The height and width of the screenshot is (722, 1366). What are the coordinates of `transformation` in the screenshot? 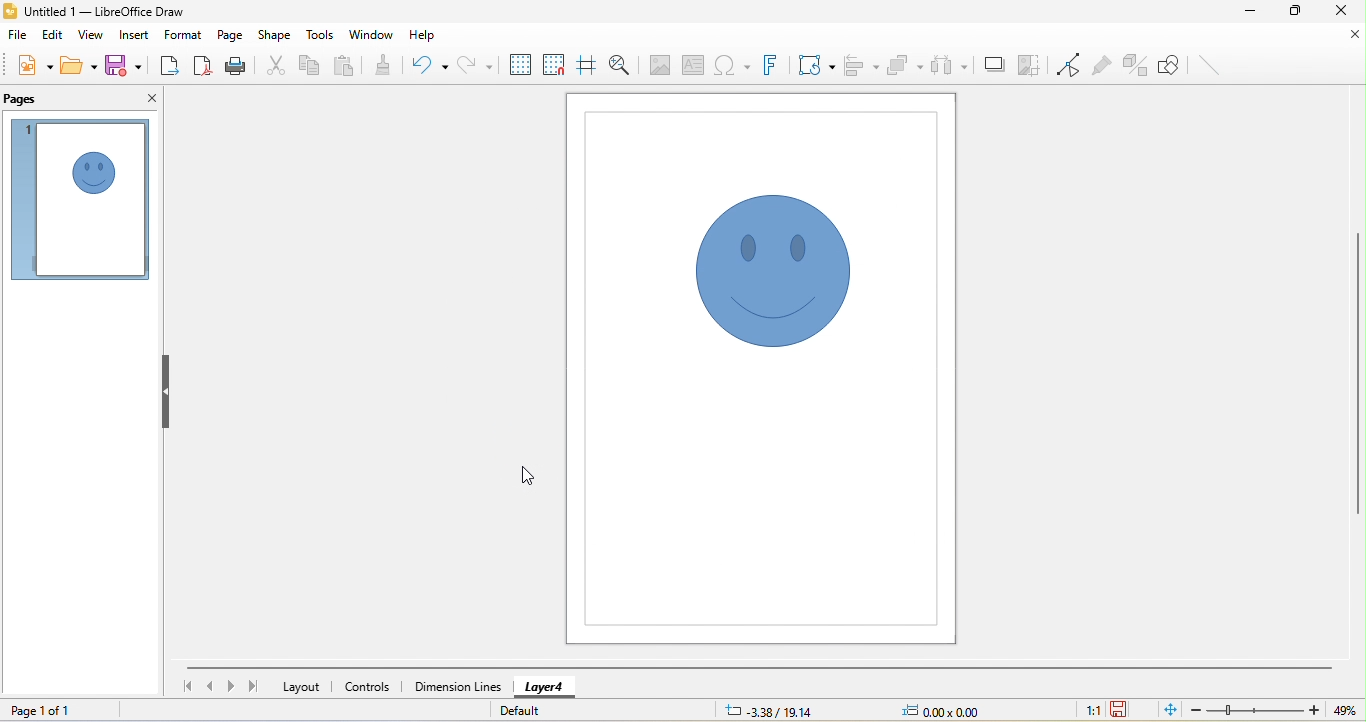 It's located at (817, 64).